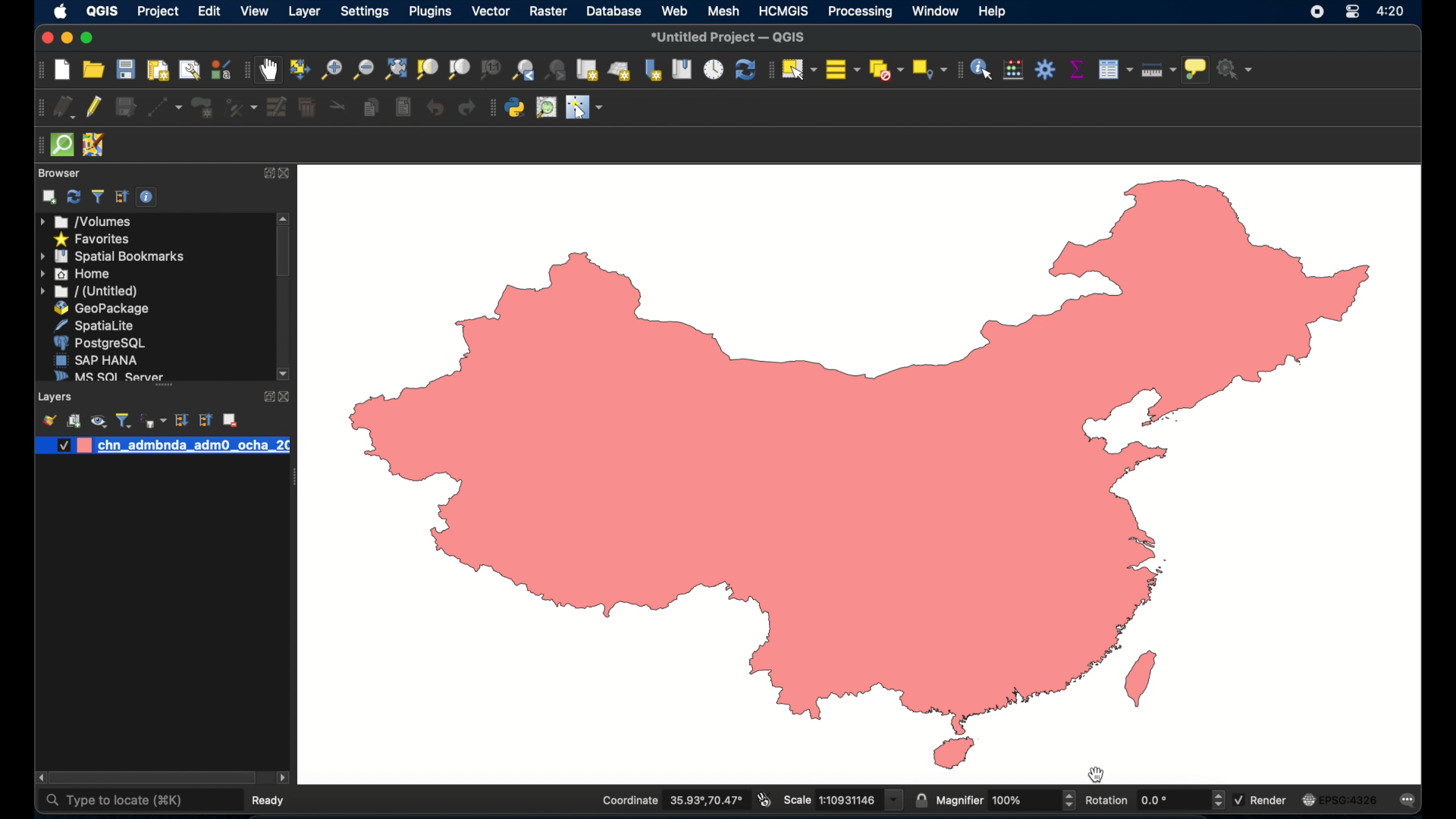 This screenshot has width=1456, height=819. Describe the element at coordinates (240, 108) in the screenshot. I see `vertex tool` at that location.